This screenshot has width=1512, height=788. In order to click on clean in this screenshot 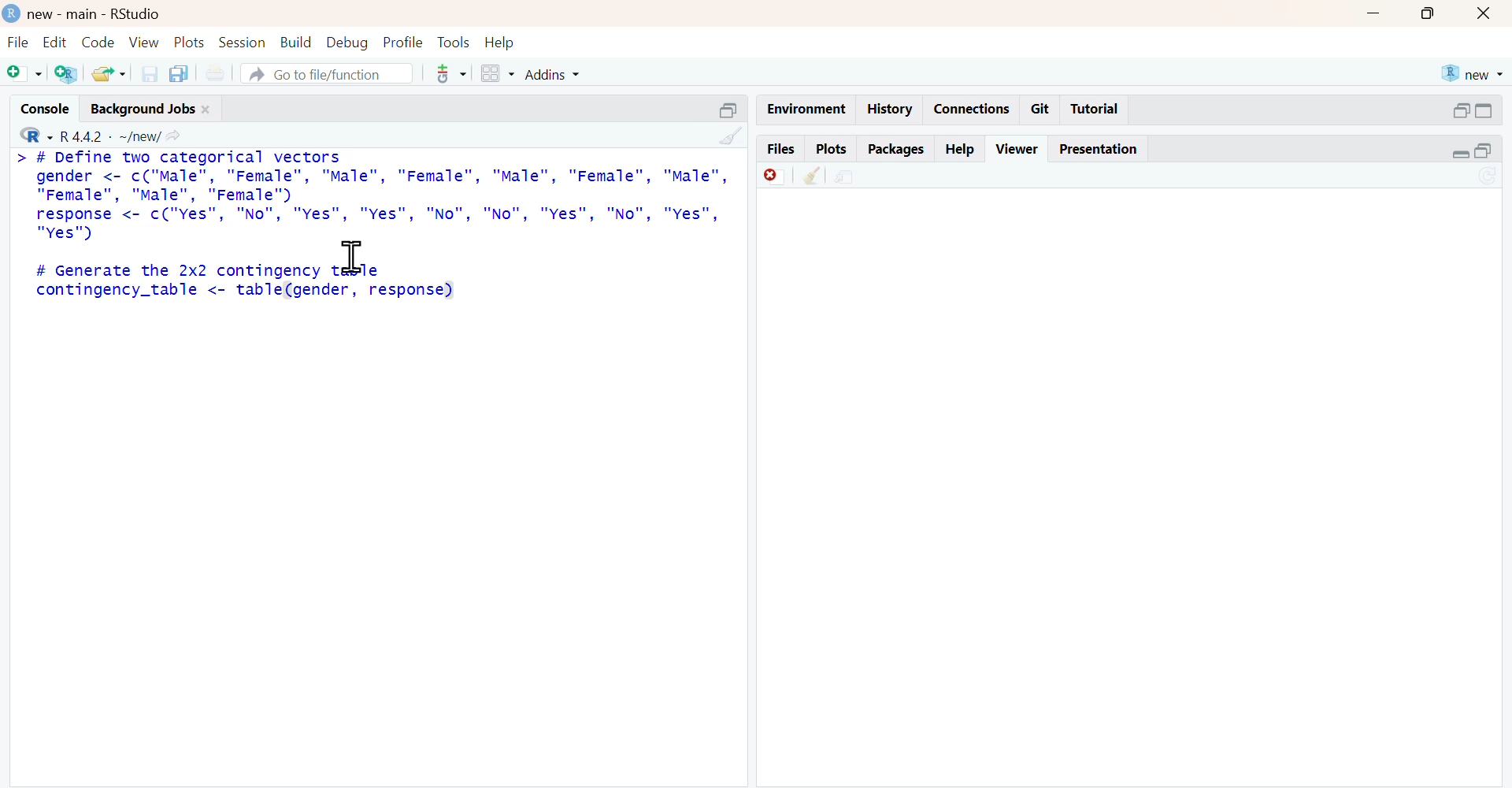, I will do `click(732, 136)`.